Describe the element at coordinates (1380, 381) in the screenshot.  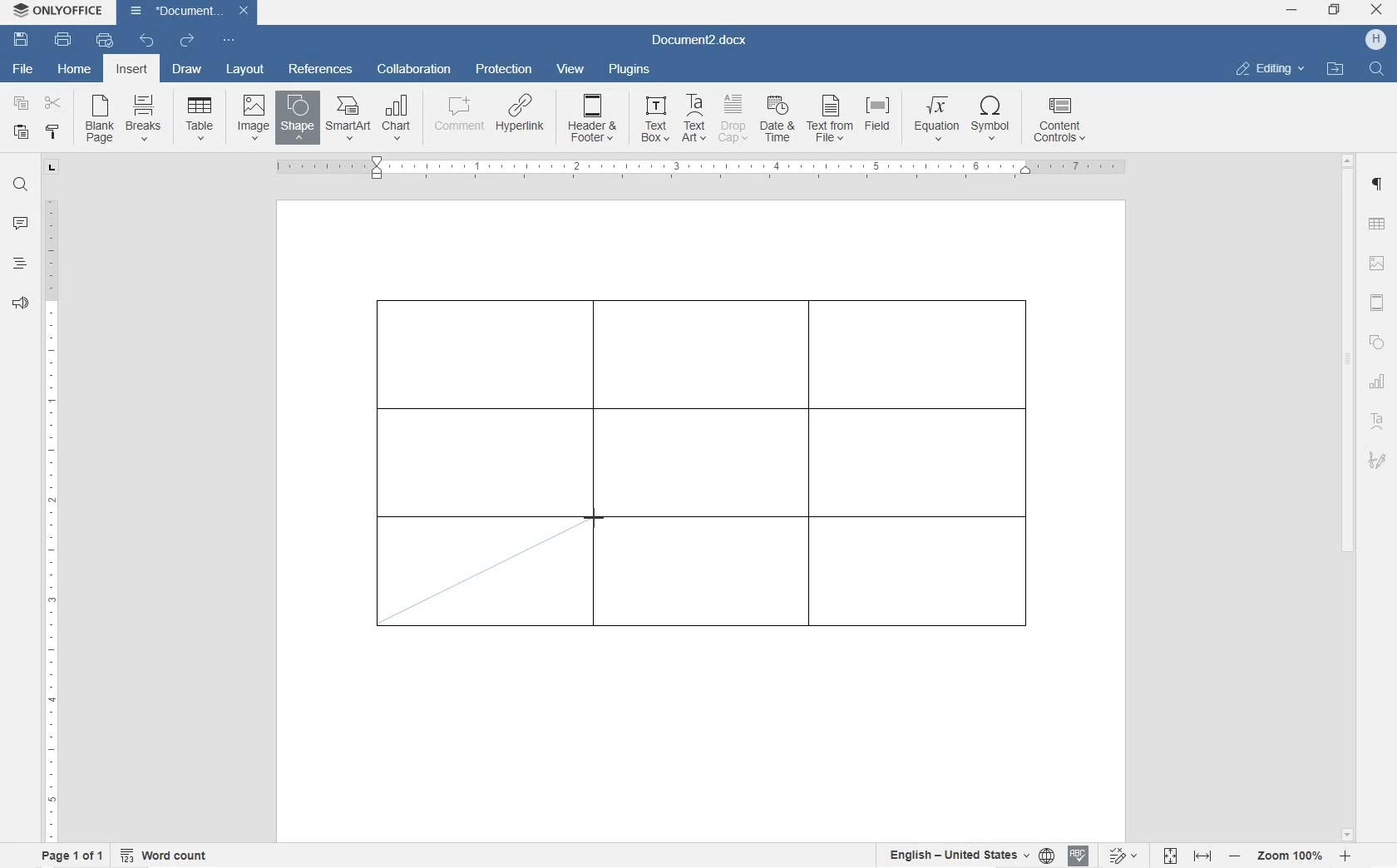
I see `chart` at that location.